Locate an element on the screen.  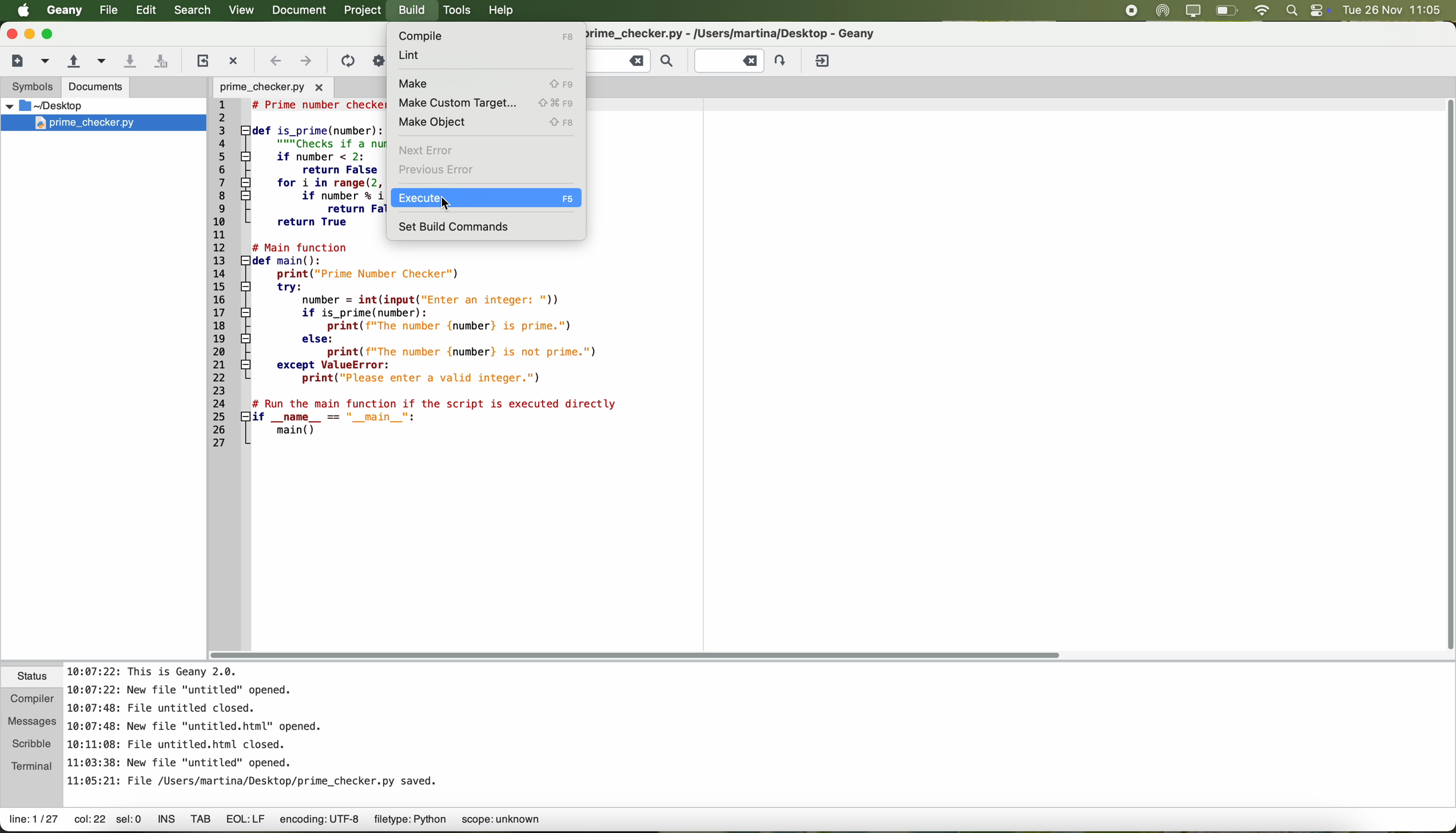
open an existing file is located at coordinates (73, 61).